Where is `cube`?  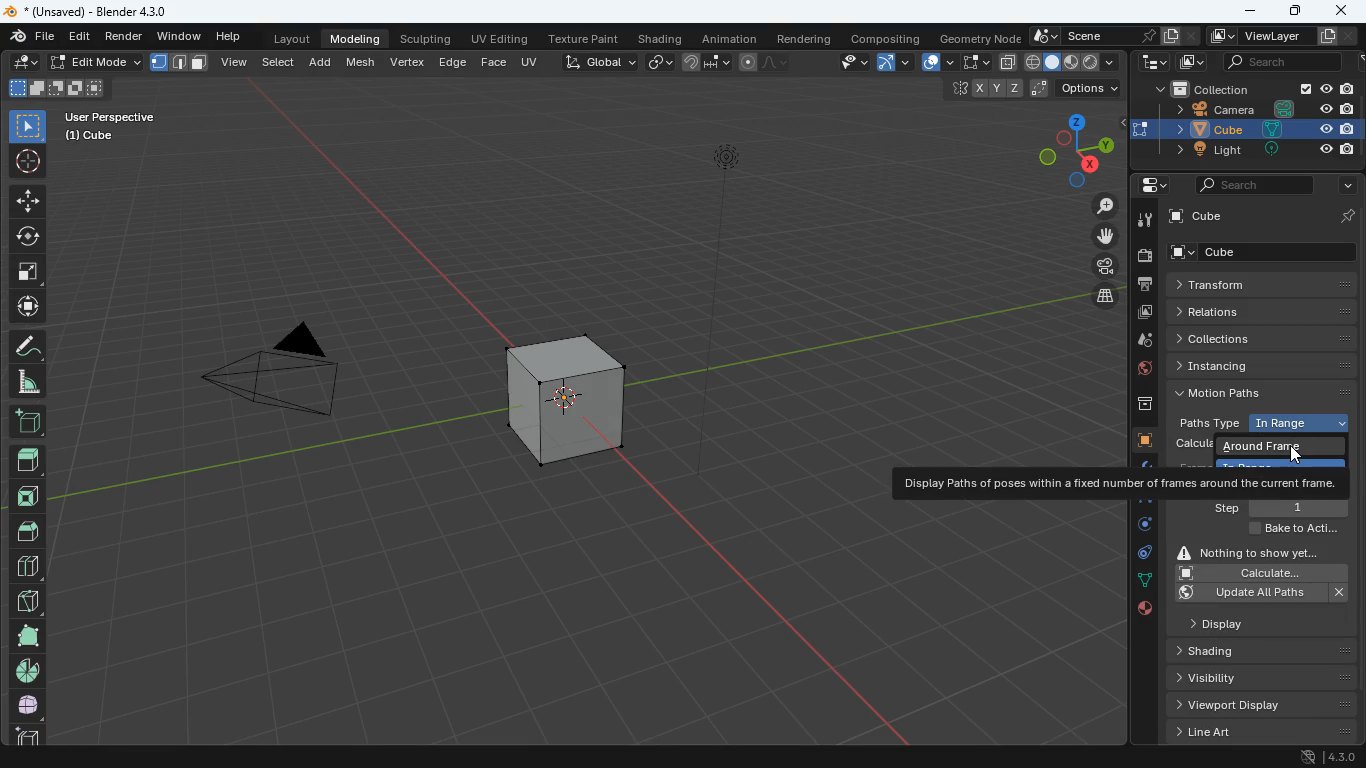 cube is located at coordinates (1260, 128).